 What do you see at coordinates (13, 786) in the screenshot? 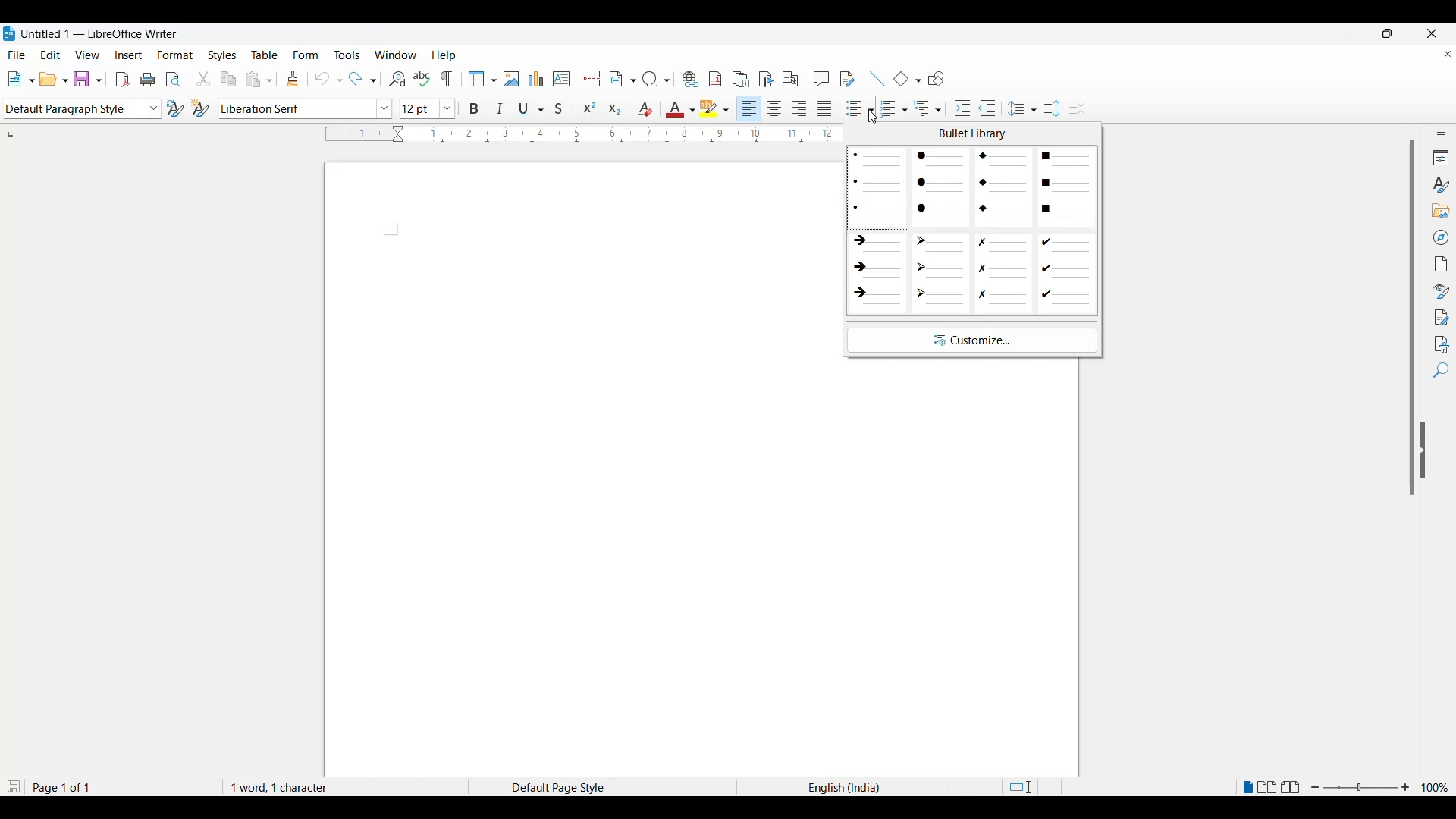
I see `Click to save modifications in document` at bounding box center [13, 786].